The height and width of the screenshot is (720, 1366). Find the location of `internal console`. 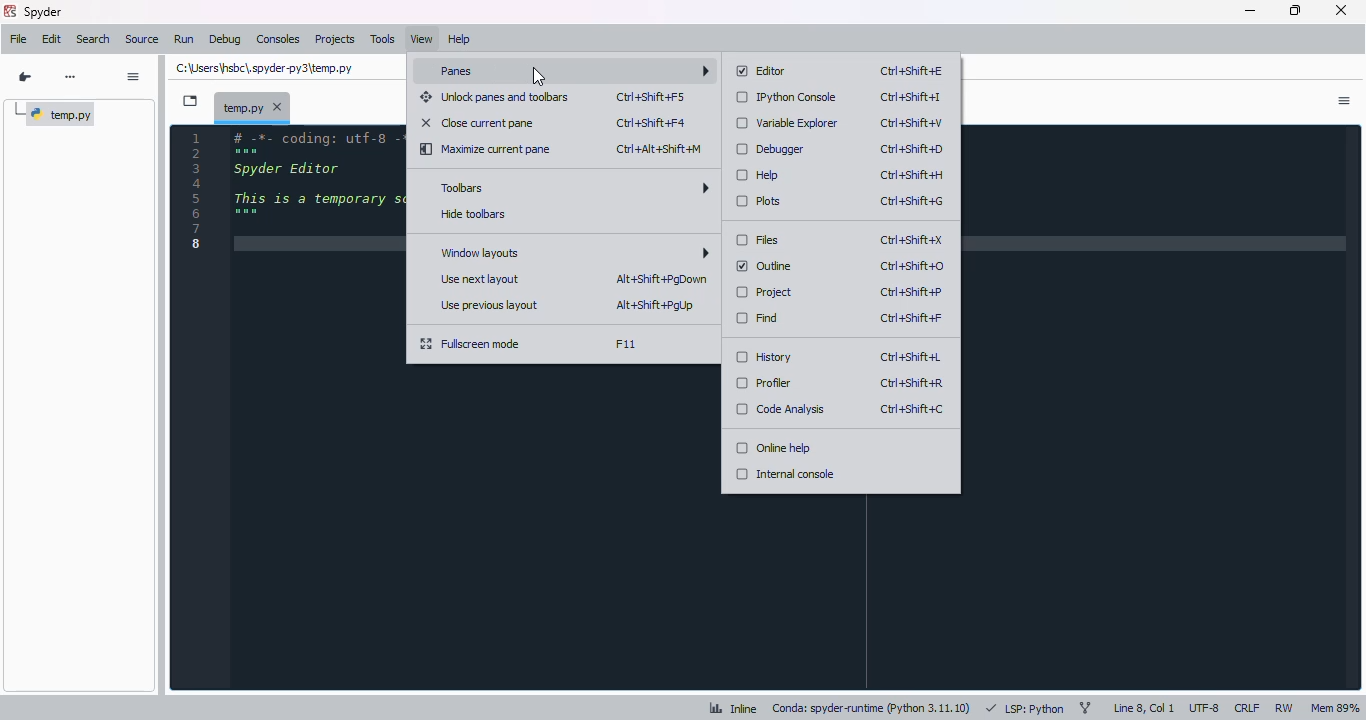

internal console is located at coordinates (785, 474).